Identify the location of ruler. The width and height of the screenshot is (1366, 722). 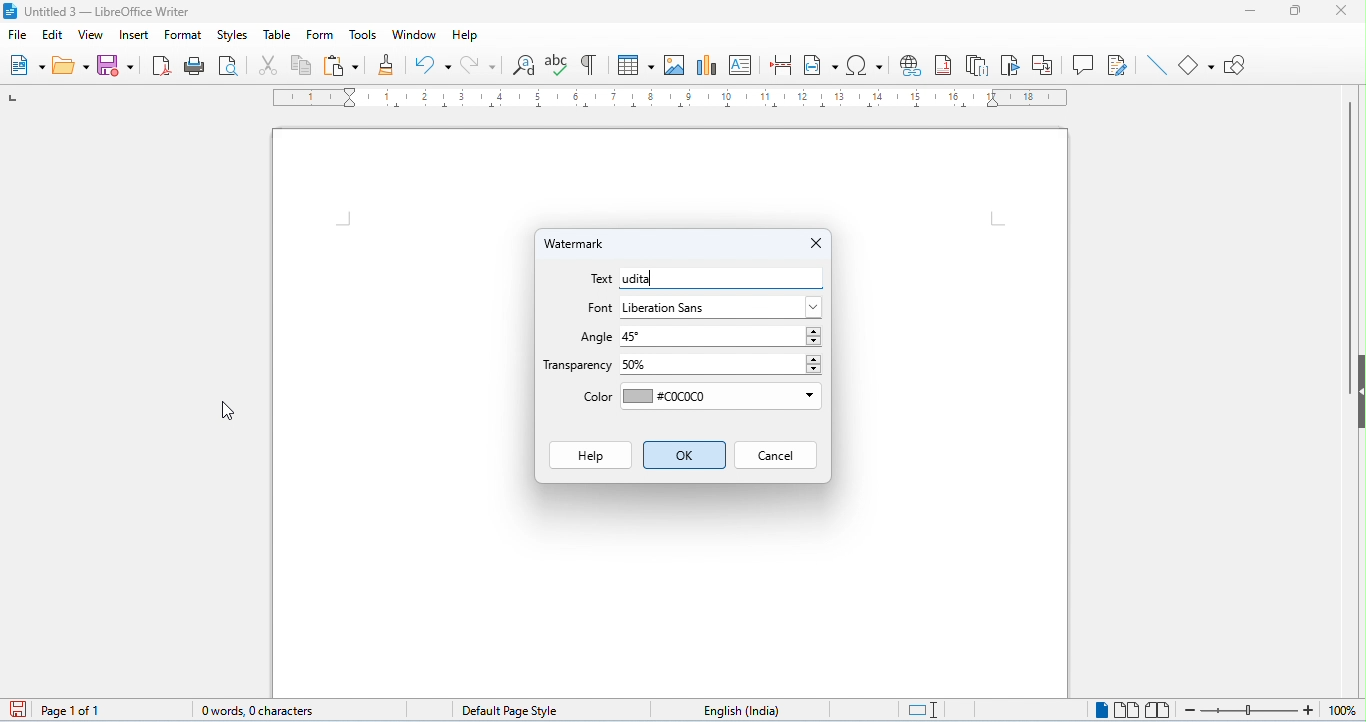
(670, 99).